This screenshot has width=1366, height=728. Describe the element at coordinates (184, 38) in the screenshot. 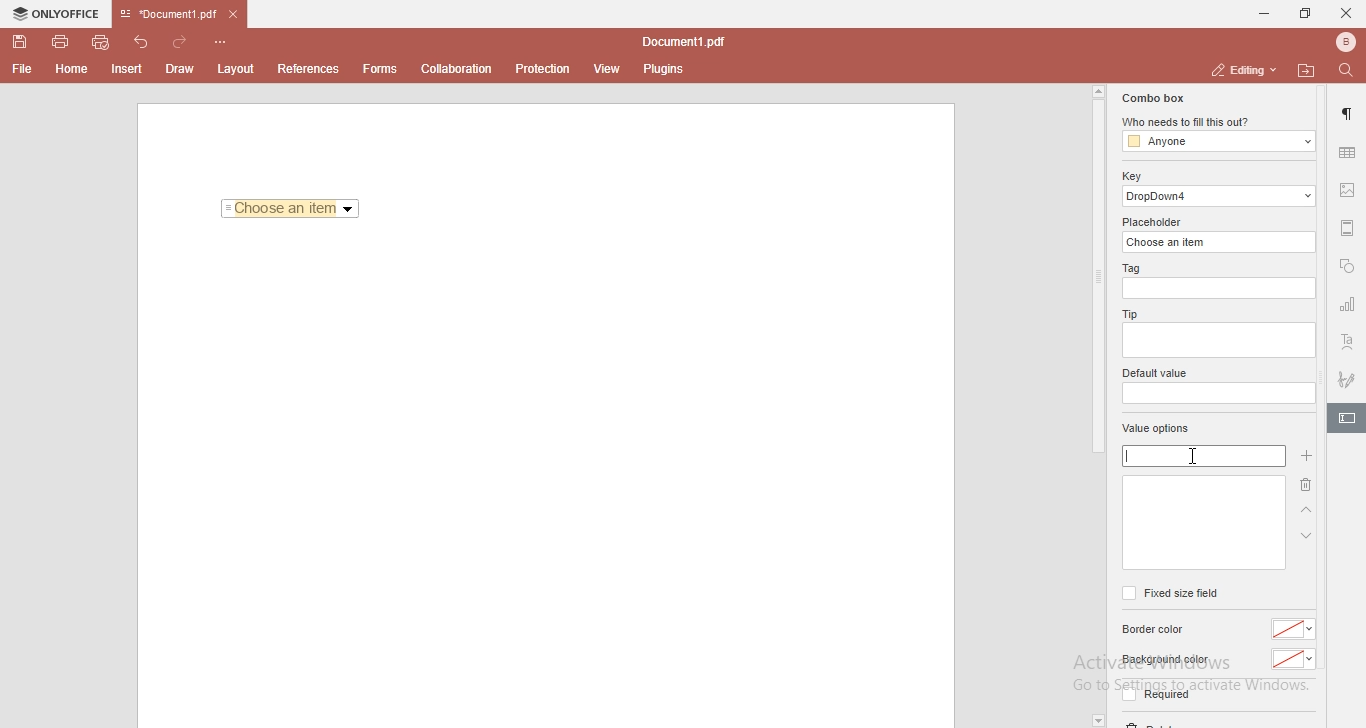

I see `redo` at that location.